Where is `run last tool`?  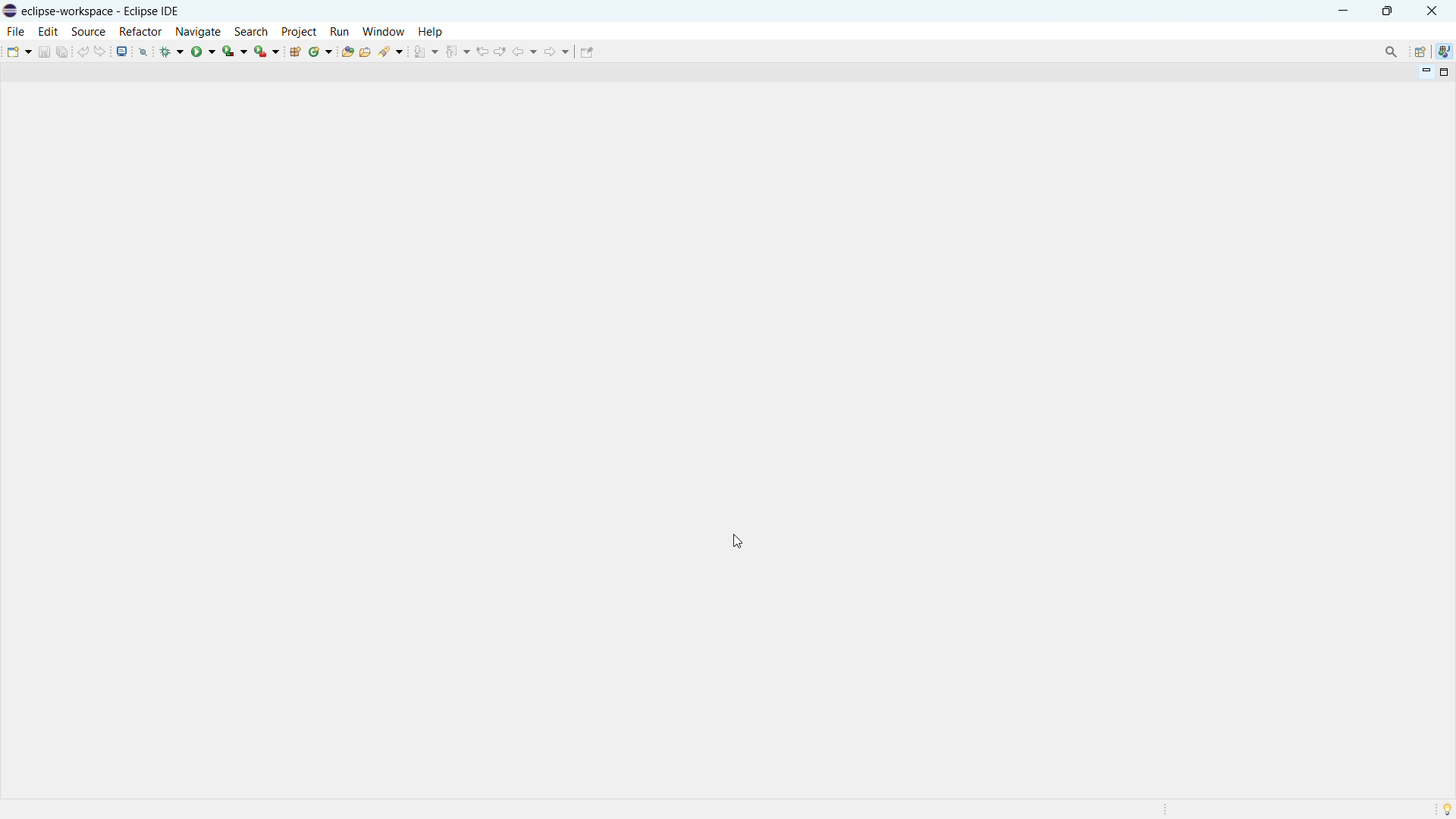
run last tool is located at coordinates (268, 51).